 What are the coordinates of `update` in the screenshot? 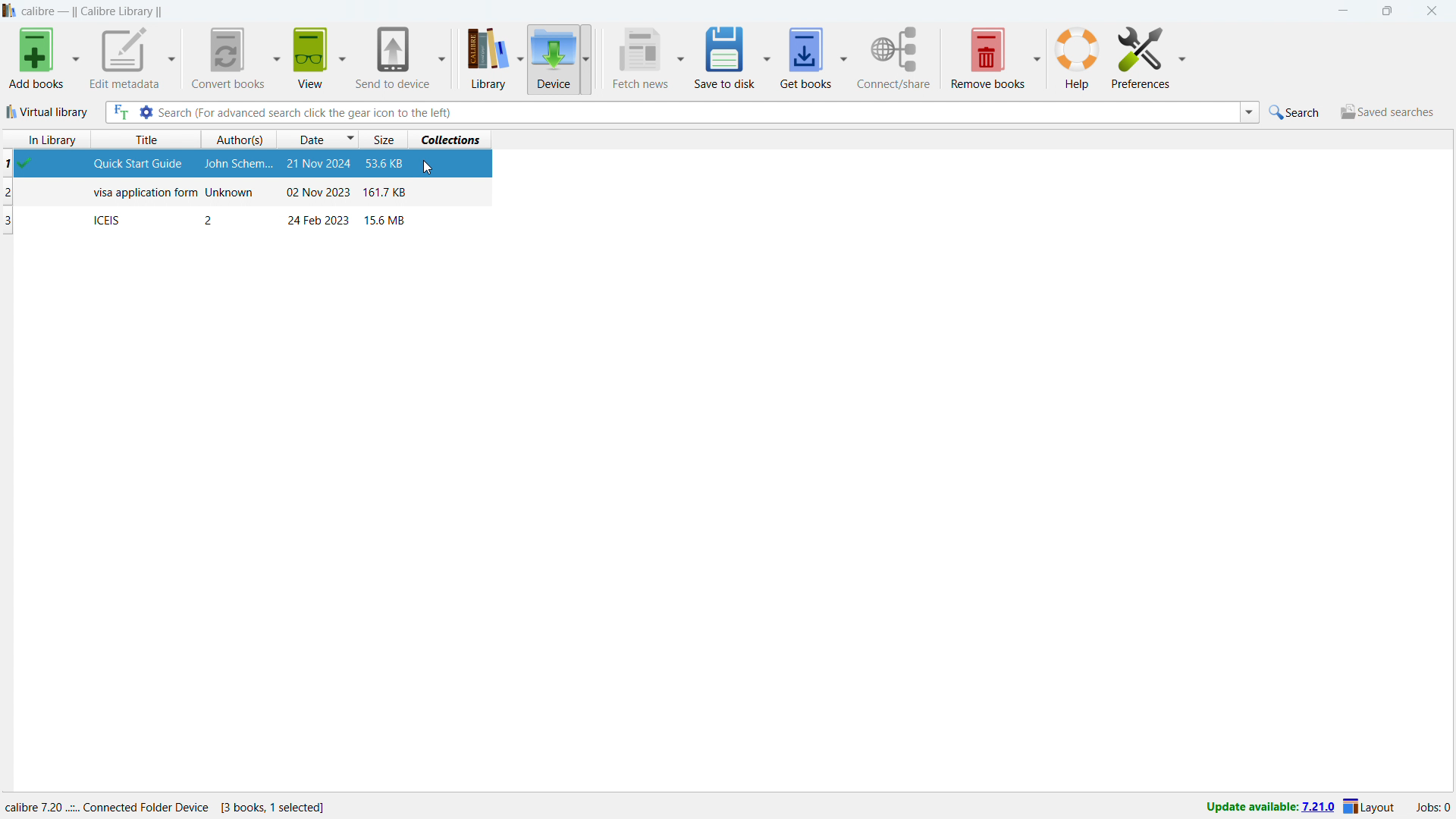 It's located at (1269, 808).